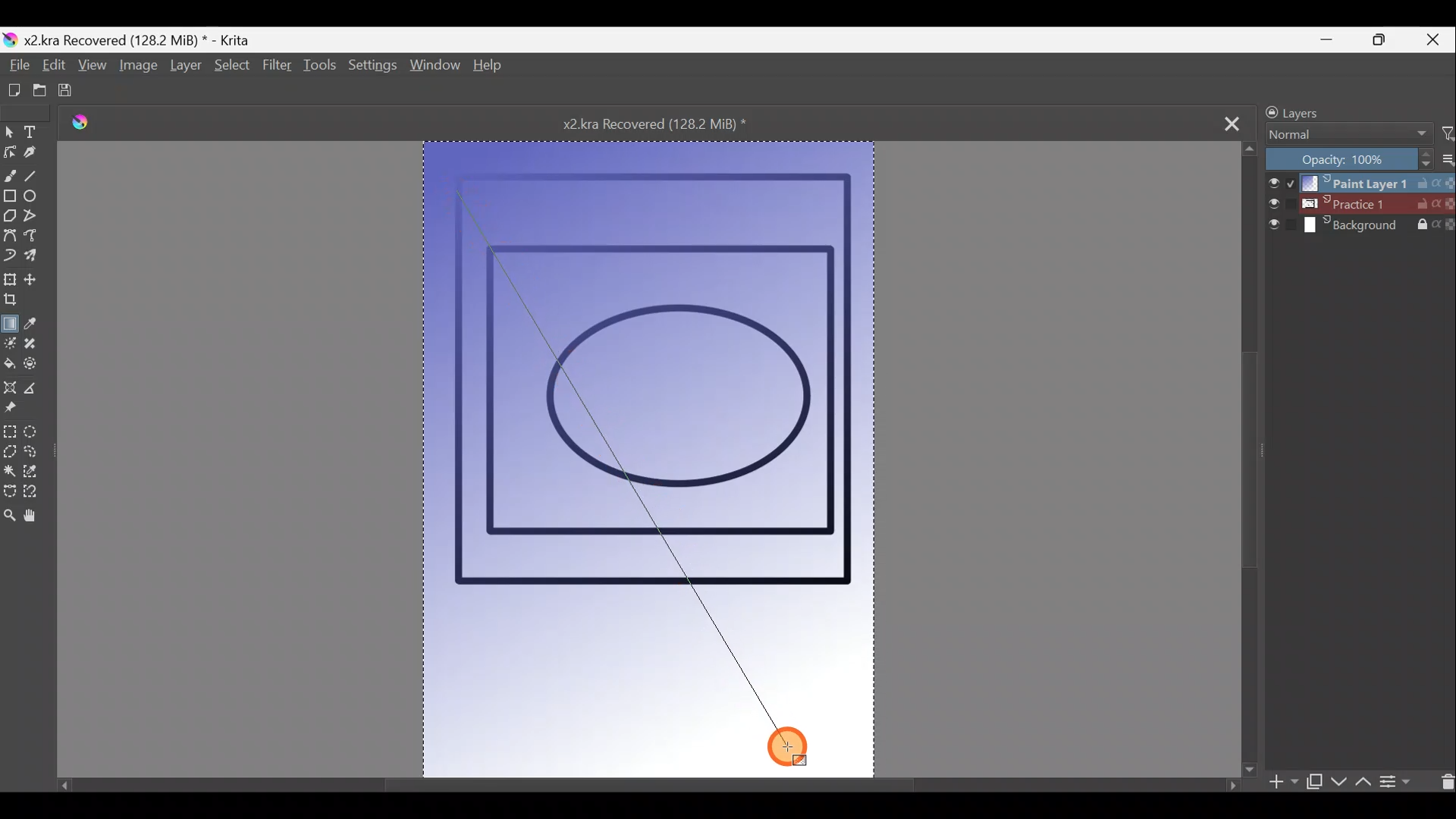 The height and width of the screenshot is (819, 1456). Describe the element at coordinates (36, 345) in the screenshot. I see `Smart patch tool` at that location.